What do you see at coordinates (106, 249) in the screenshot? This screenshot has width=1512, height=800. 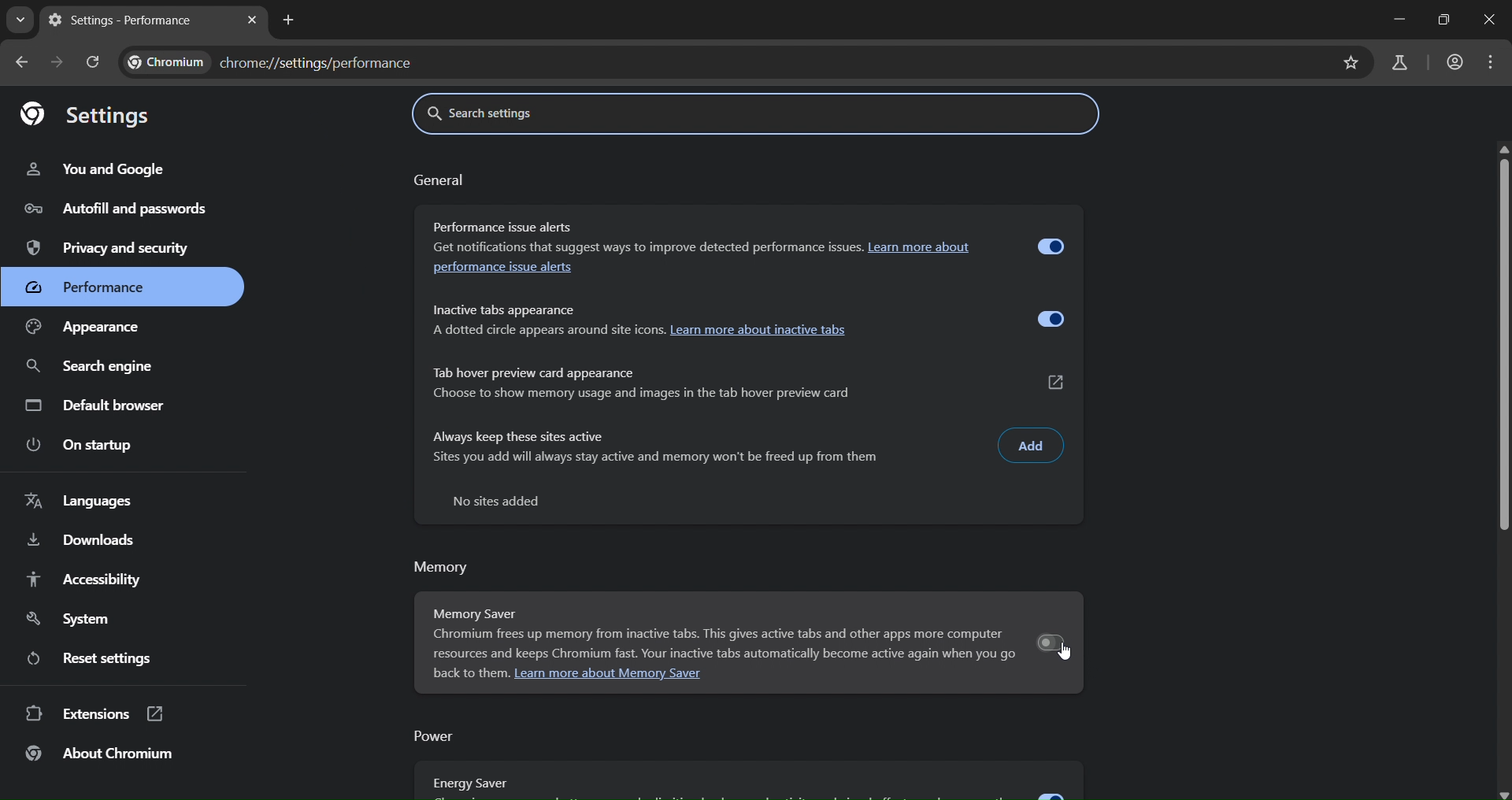 I see `Privacy and security` at bounding box center [106, 249].